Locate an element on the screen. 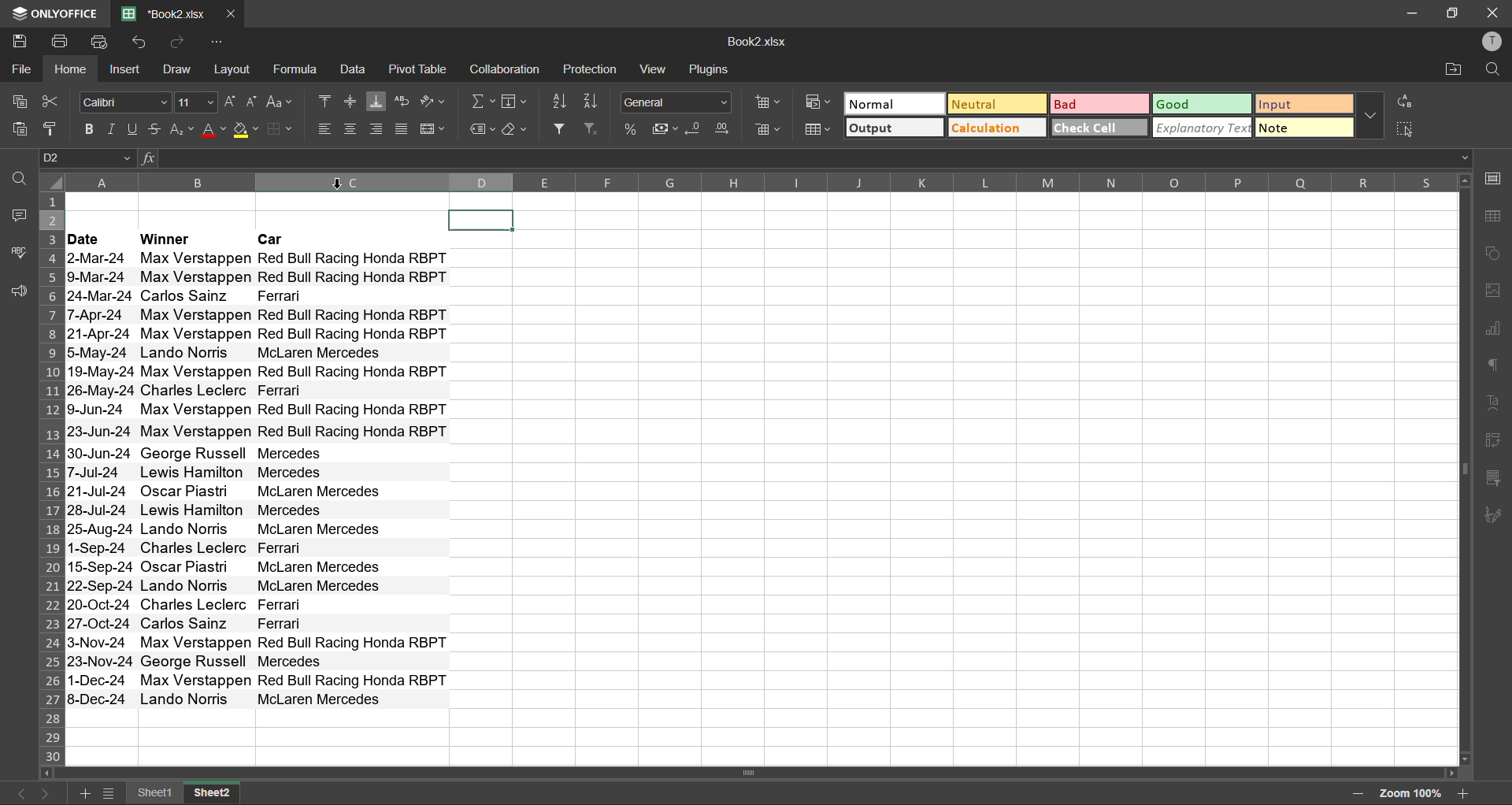 This screenshot has height=805, width=1512. cut is located at coordinates (50, 101).